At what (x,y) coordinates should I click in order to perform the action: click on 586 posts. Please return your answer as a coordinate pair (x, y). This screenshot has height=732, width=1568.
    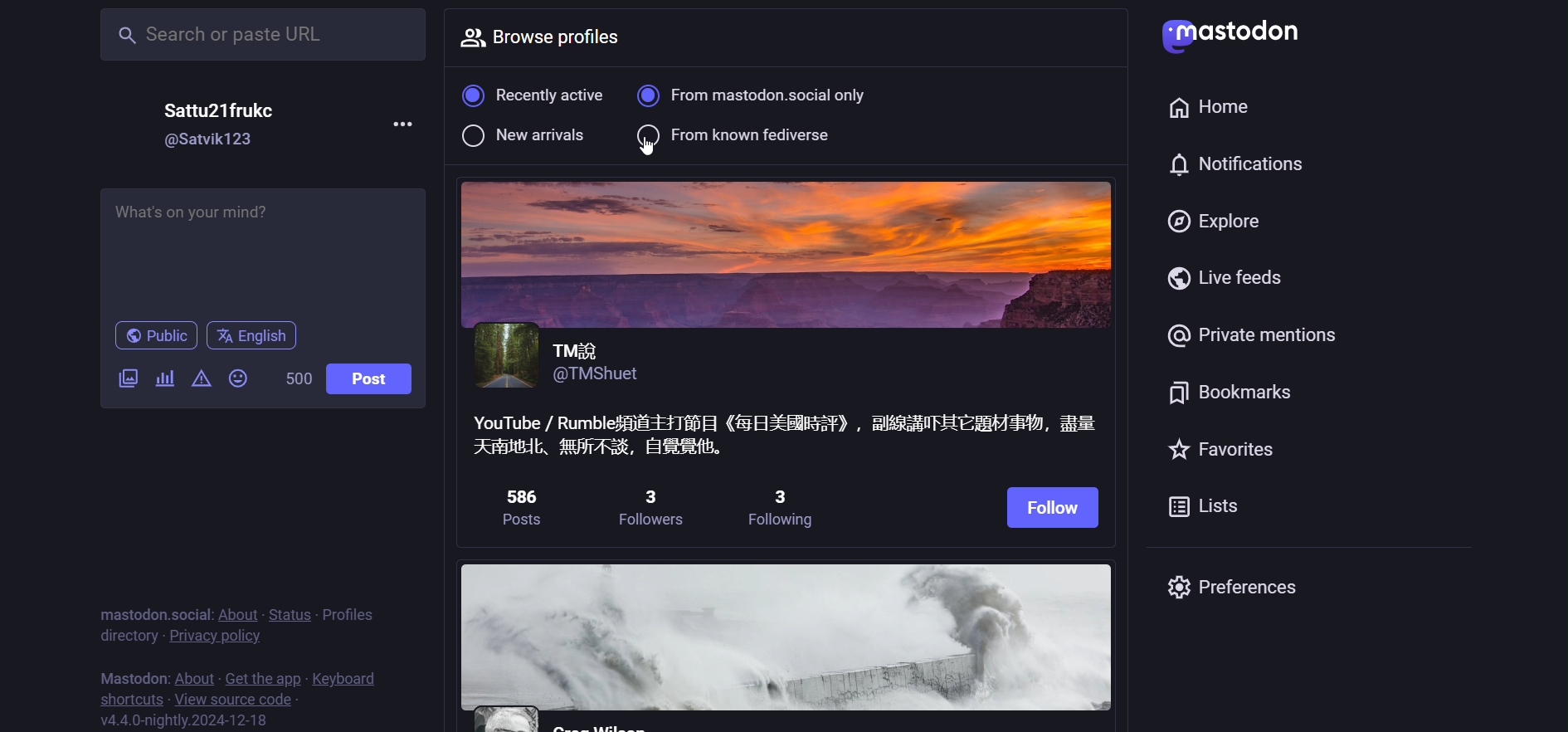
    Looking at the image, I should click on (530, 509).